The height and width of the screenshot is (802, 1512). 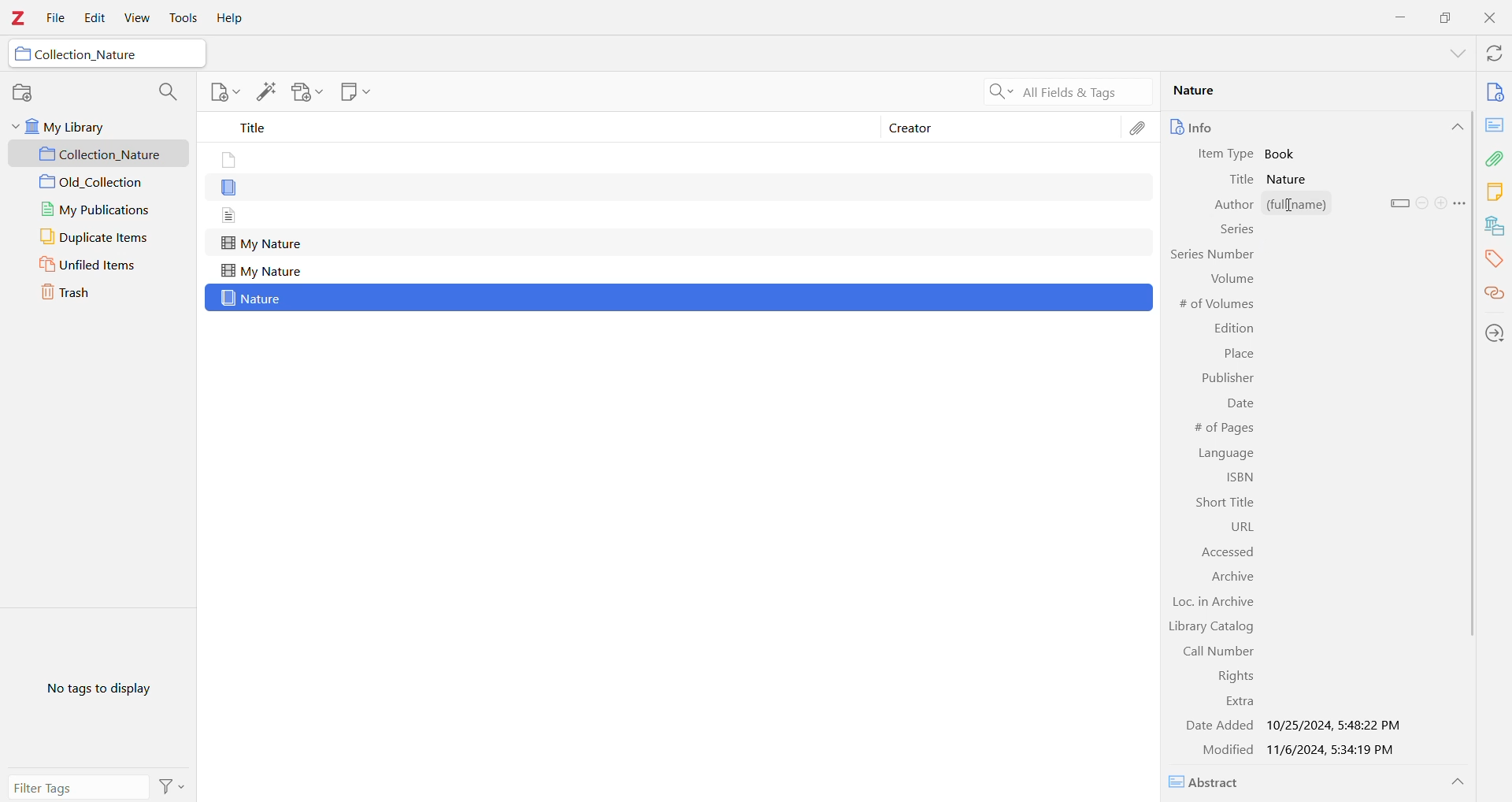 I want to click on Series Number, so click(x=1210, y=254).